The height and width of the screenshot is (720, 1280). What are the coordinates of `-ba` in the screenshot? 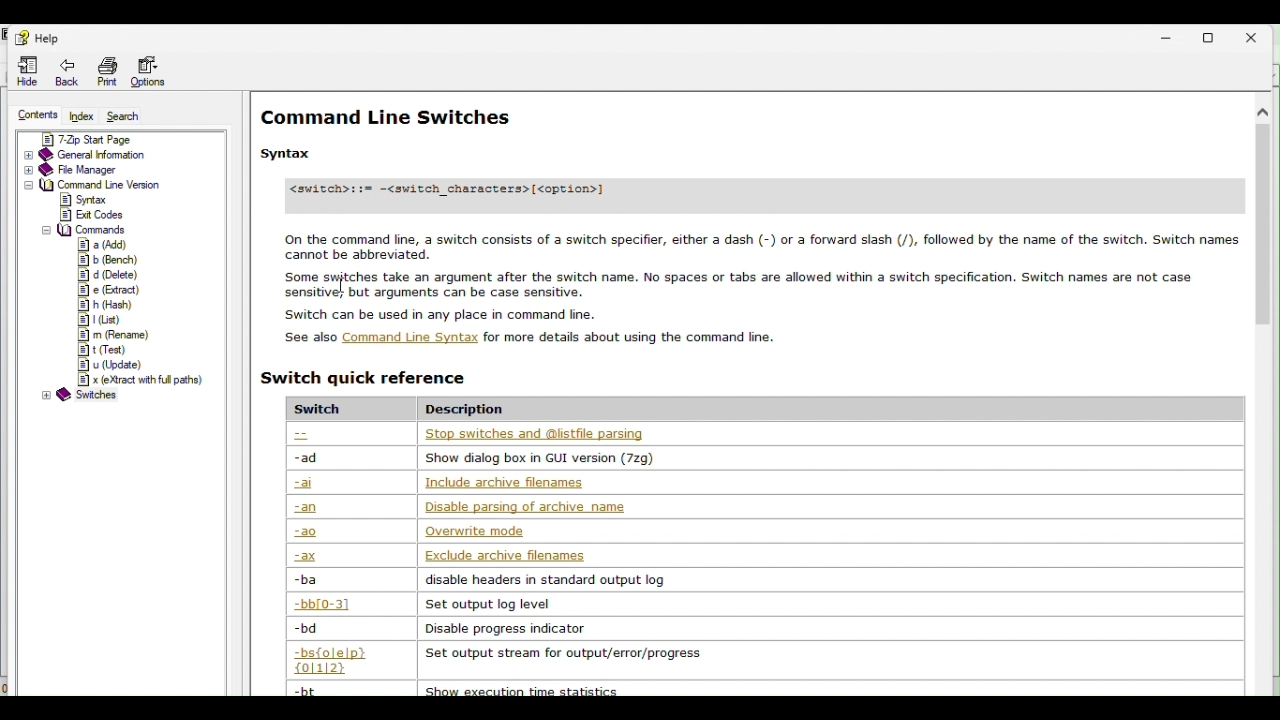 It's located at (311, 579).